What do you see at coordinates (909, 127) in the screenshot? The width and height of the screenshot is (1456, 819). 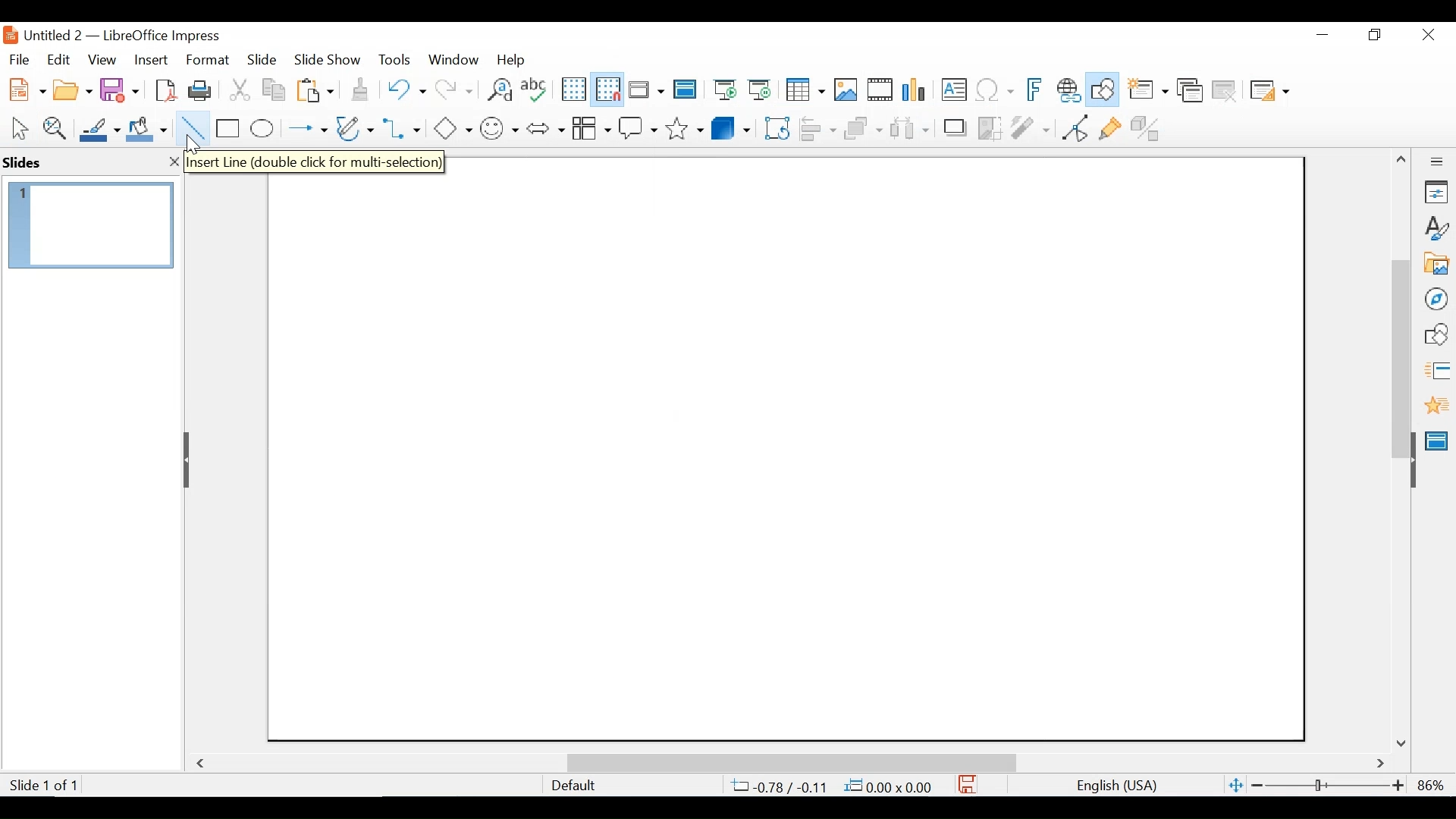 I see `Select atleast three images to Distribute` at bounding box center [909, 127].